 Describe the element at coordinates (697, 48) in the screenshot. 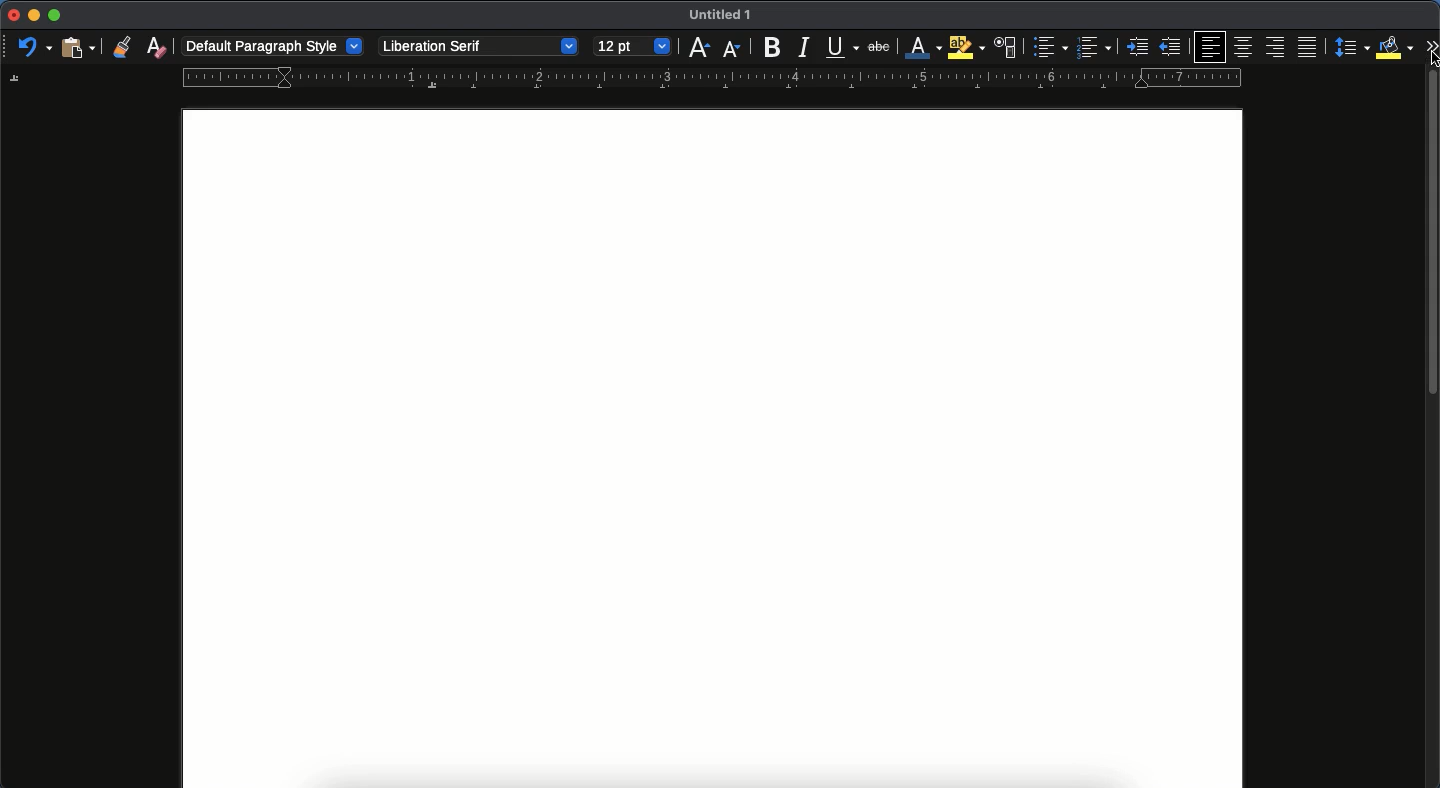

I see `increase size` at that location.